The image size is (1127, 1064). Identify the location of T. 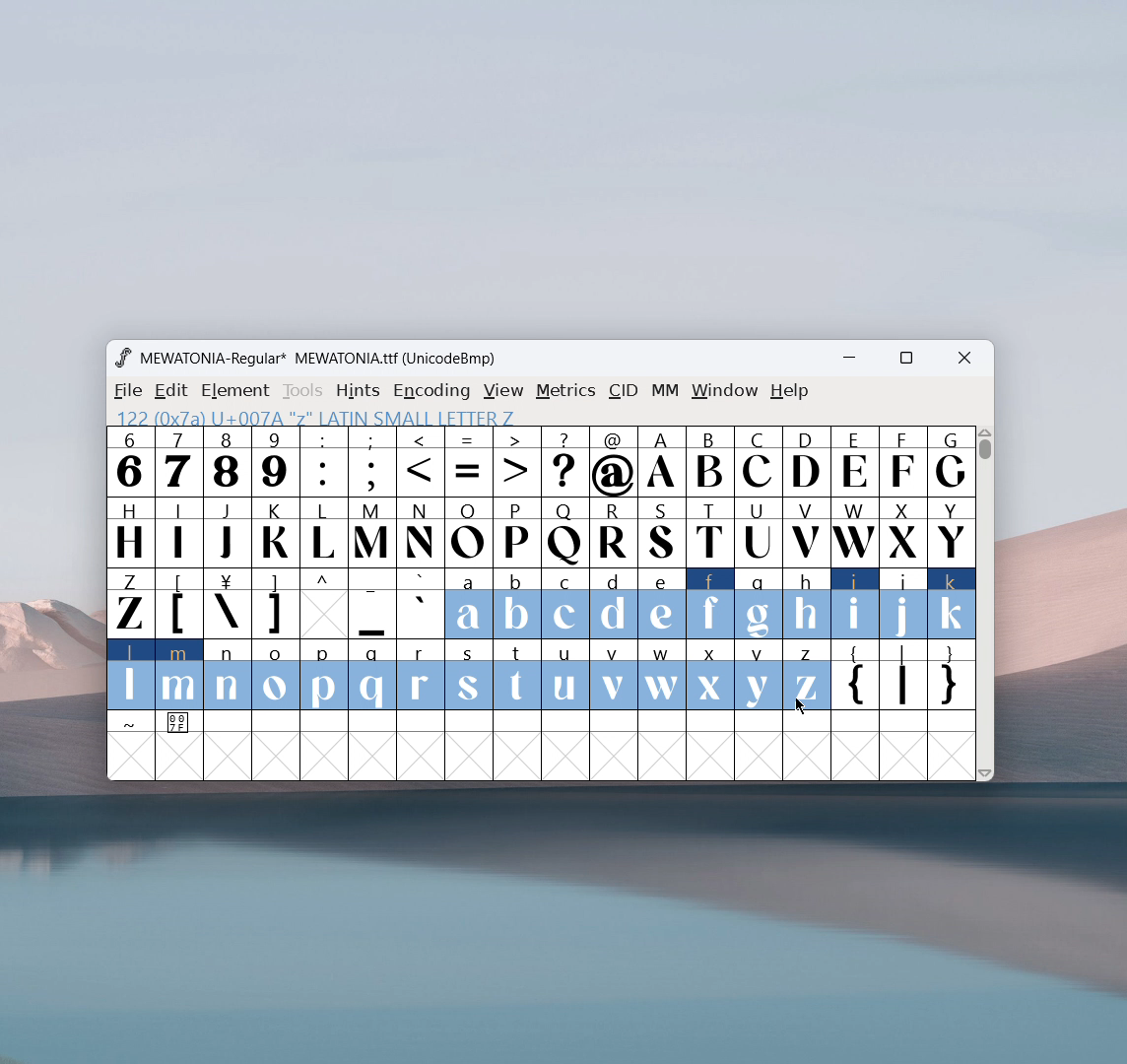
(711, 533).